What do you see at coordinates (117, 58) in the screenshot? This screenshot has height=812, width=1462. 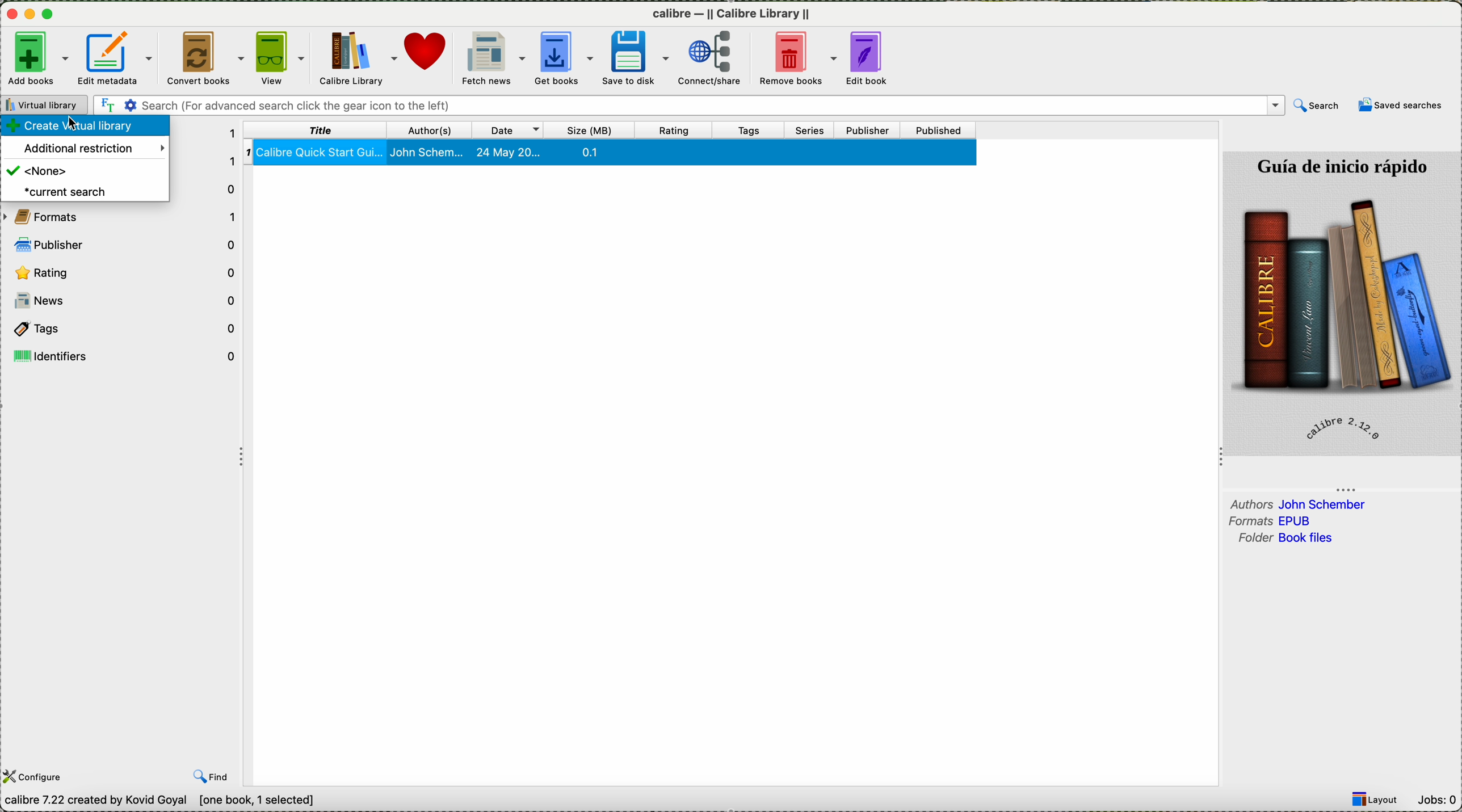 I see `edit metadata` at bounding box center [117, 58].